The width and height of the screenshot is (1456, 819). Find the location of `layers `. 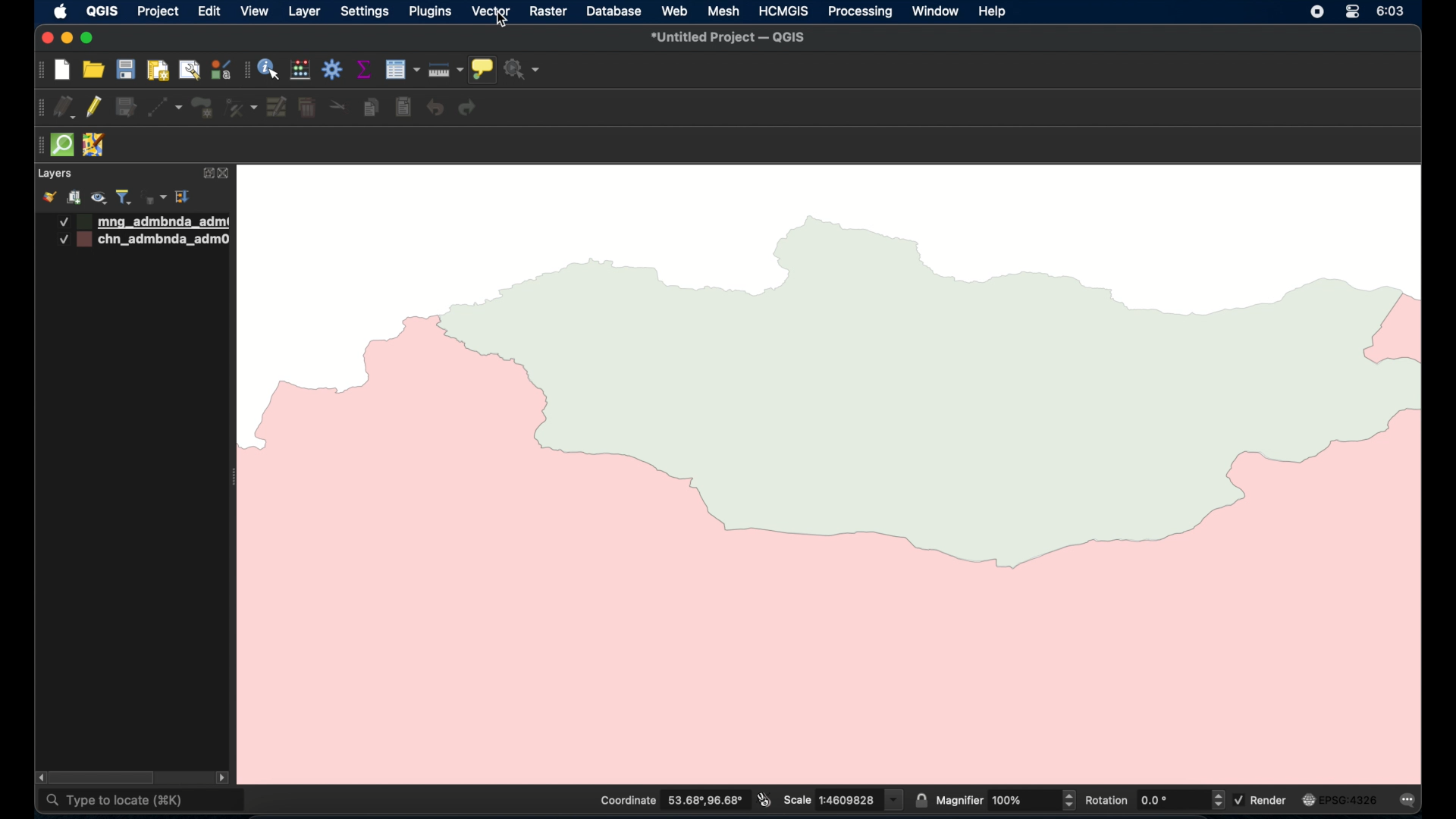

layers  is located at coordinates (54, 174).